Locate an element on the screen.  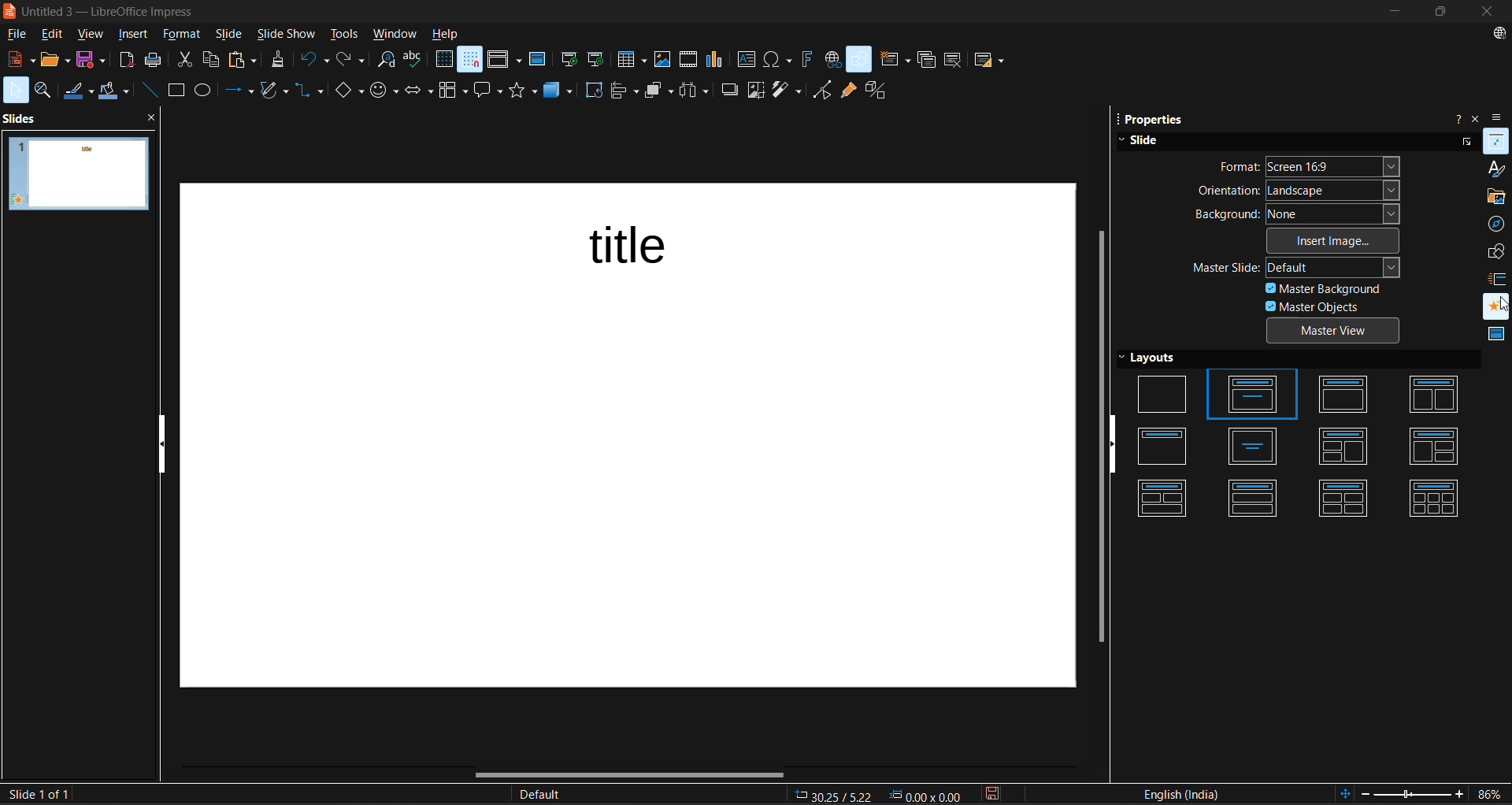
clone formatting is located at coordinates (280, 61).